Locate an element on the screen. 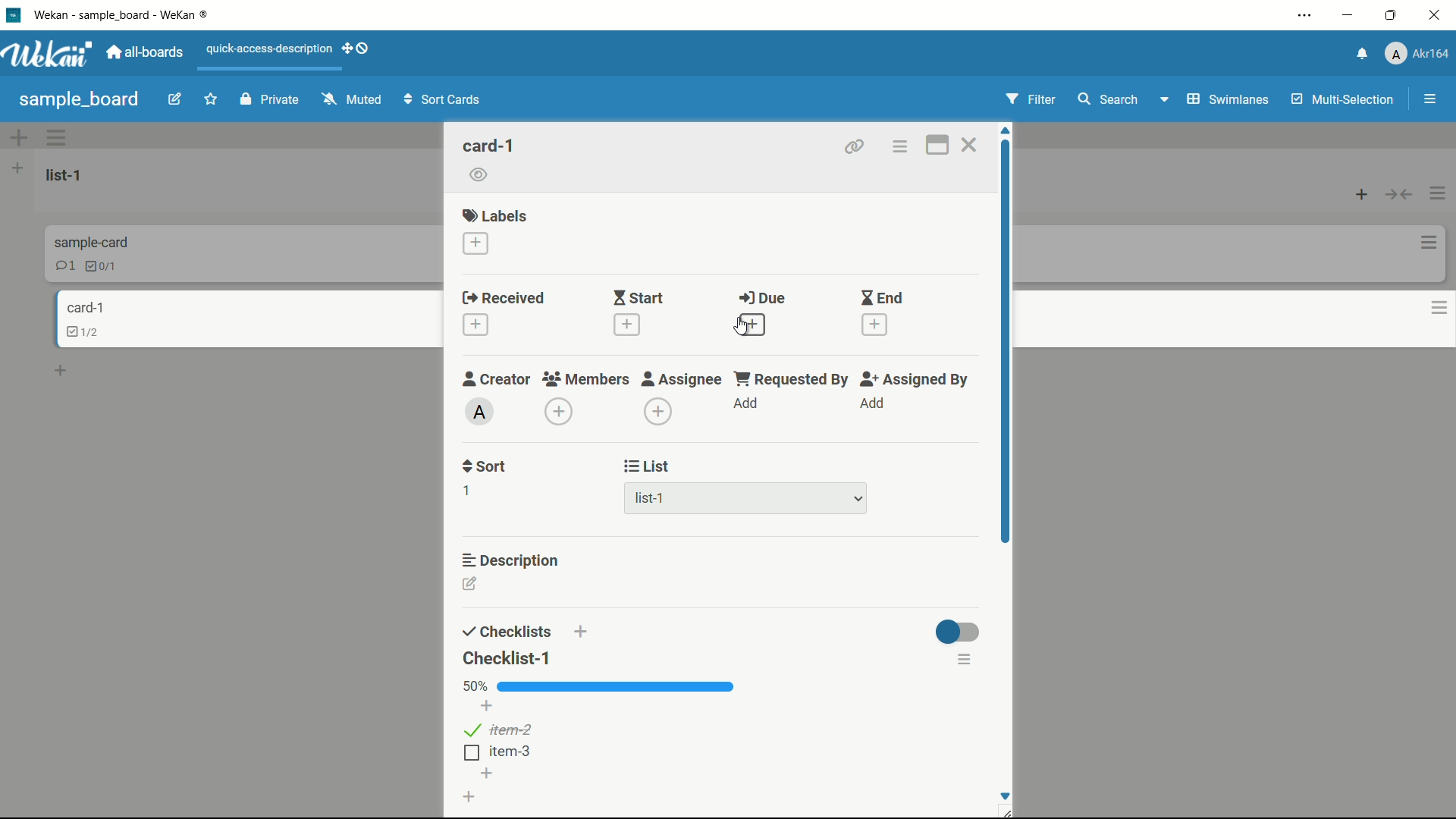  sort is located at coordinates (485, 467).